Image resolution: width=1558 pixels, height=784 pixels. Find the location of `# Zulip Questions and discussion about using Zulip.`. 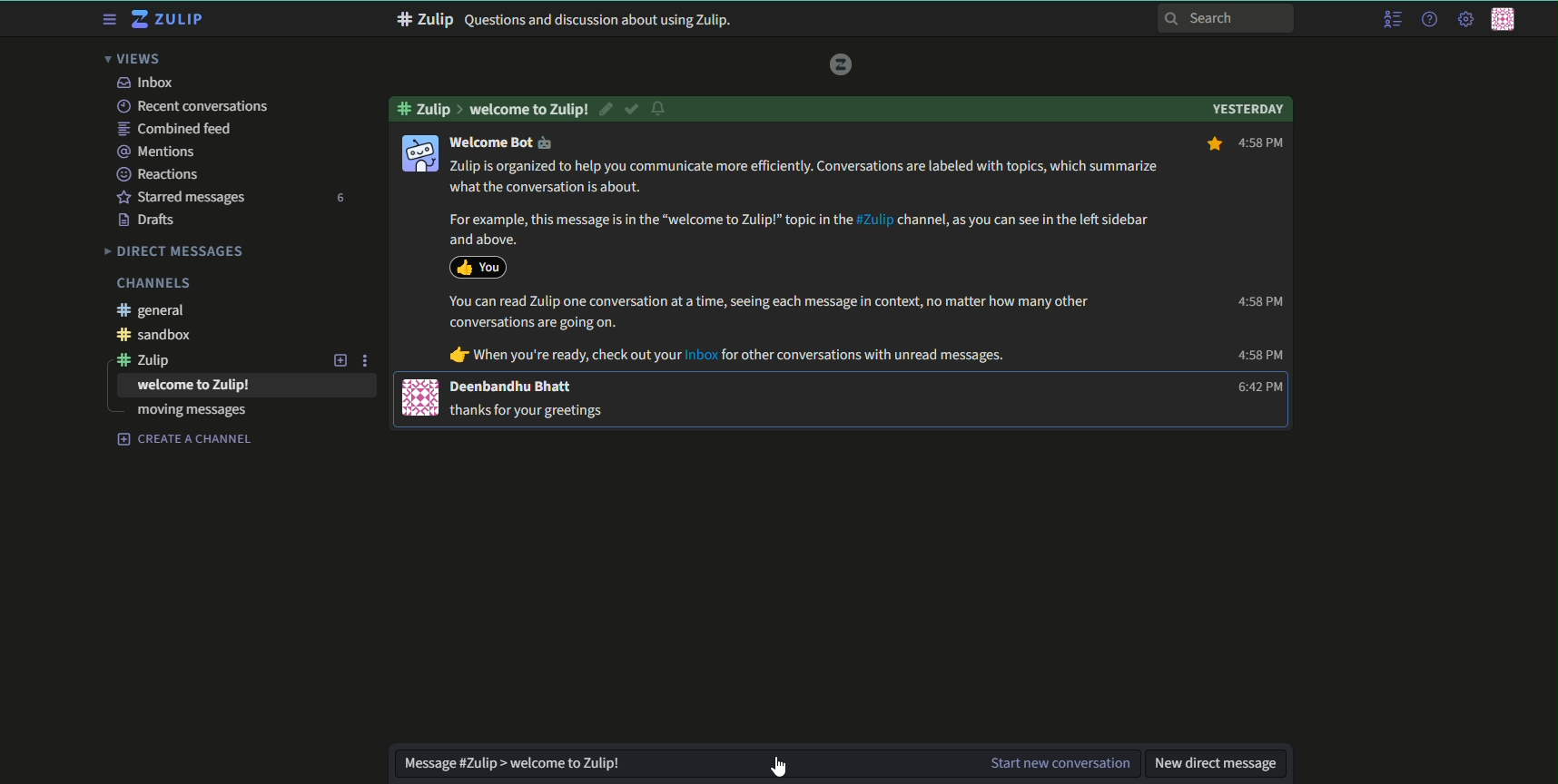

# Zulip Questions and discussion about using Zulip. is located at coordinates (570, 20).